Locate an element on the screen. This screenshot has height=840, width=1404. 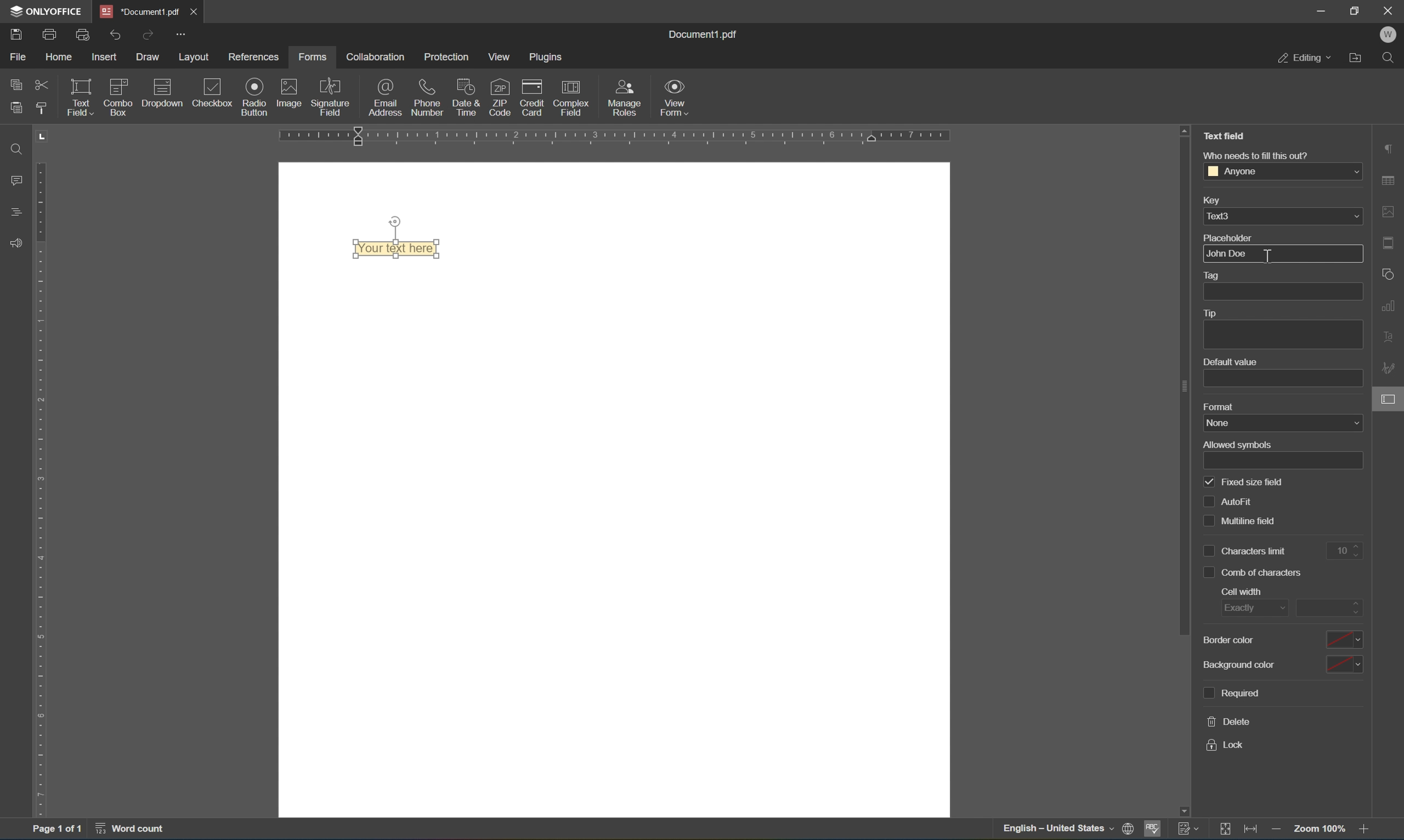
document1 is located at coordinates (143, 11).